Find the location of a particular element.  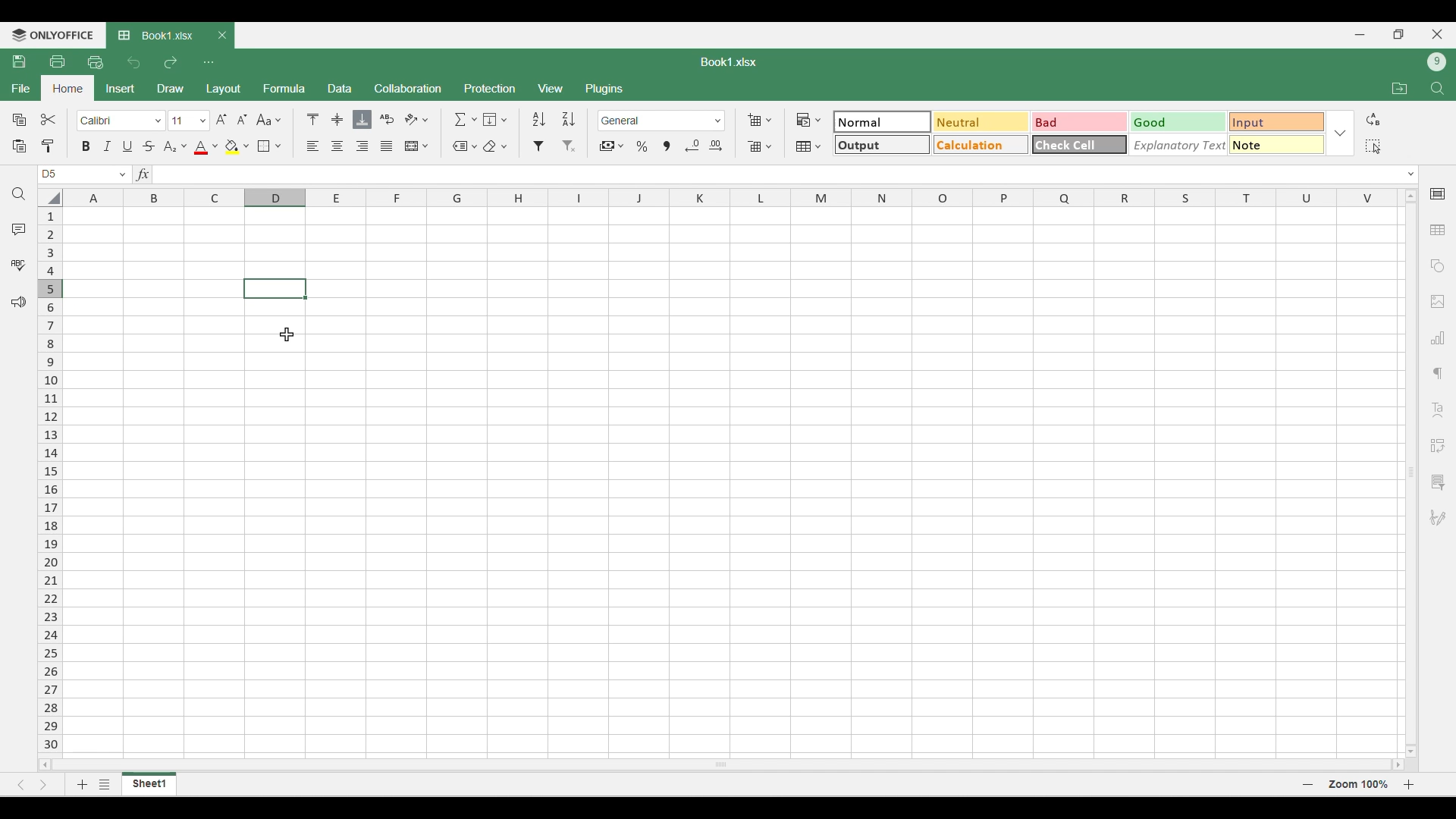

Cell type options is located at coordinates (1080, 133).